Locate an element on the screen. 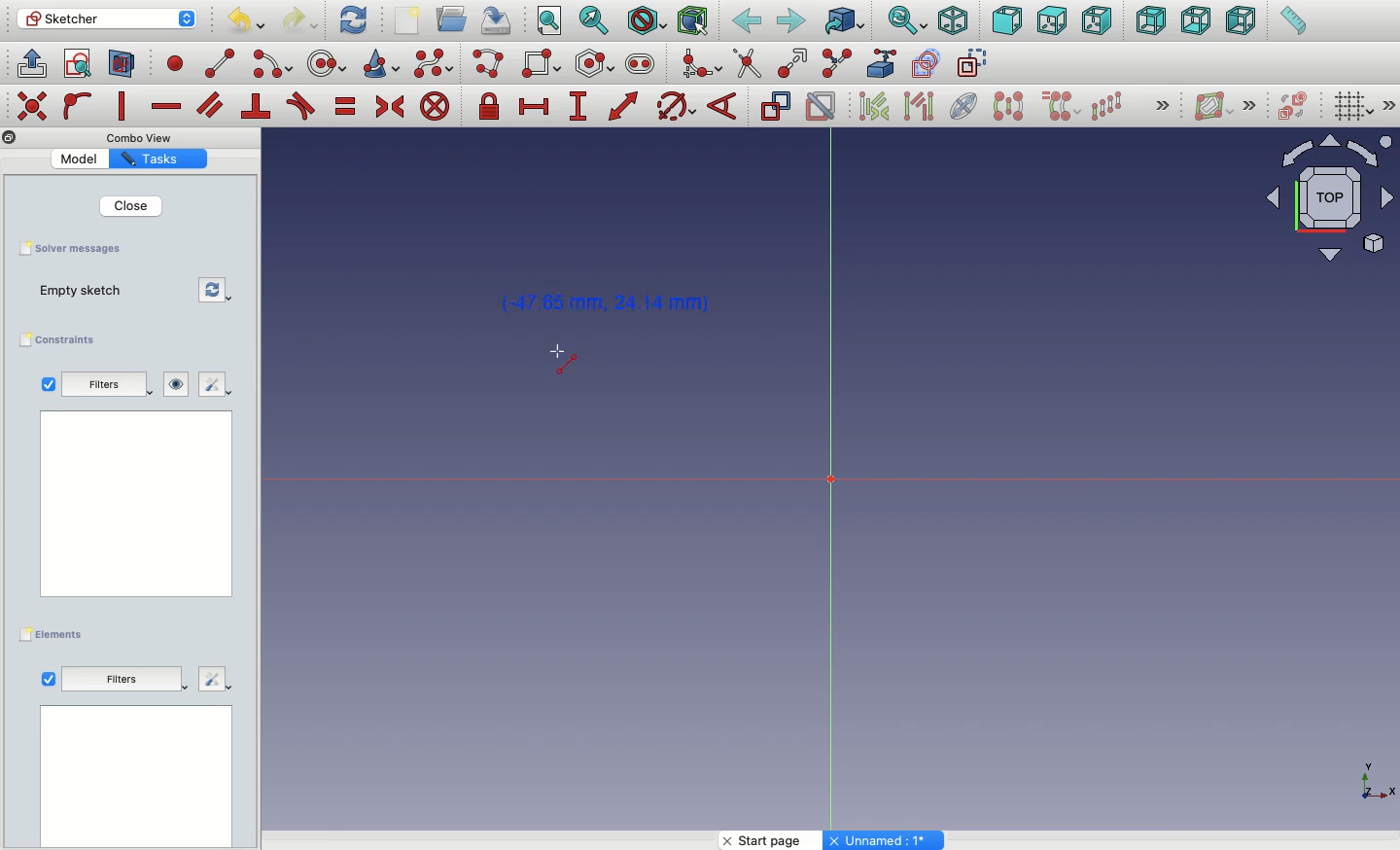 This screenshot has width=1400, height=850. Clone is located at coordinates (1063, 108).